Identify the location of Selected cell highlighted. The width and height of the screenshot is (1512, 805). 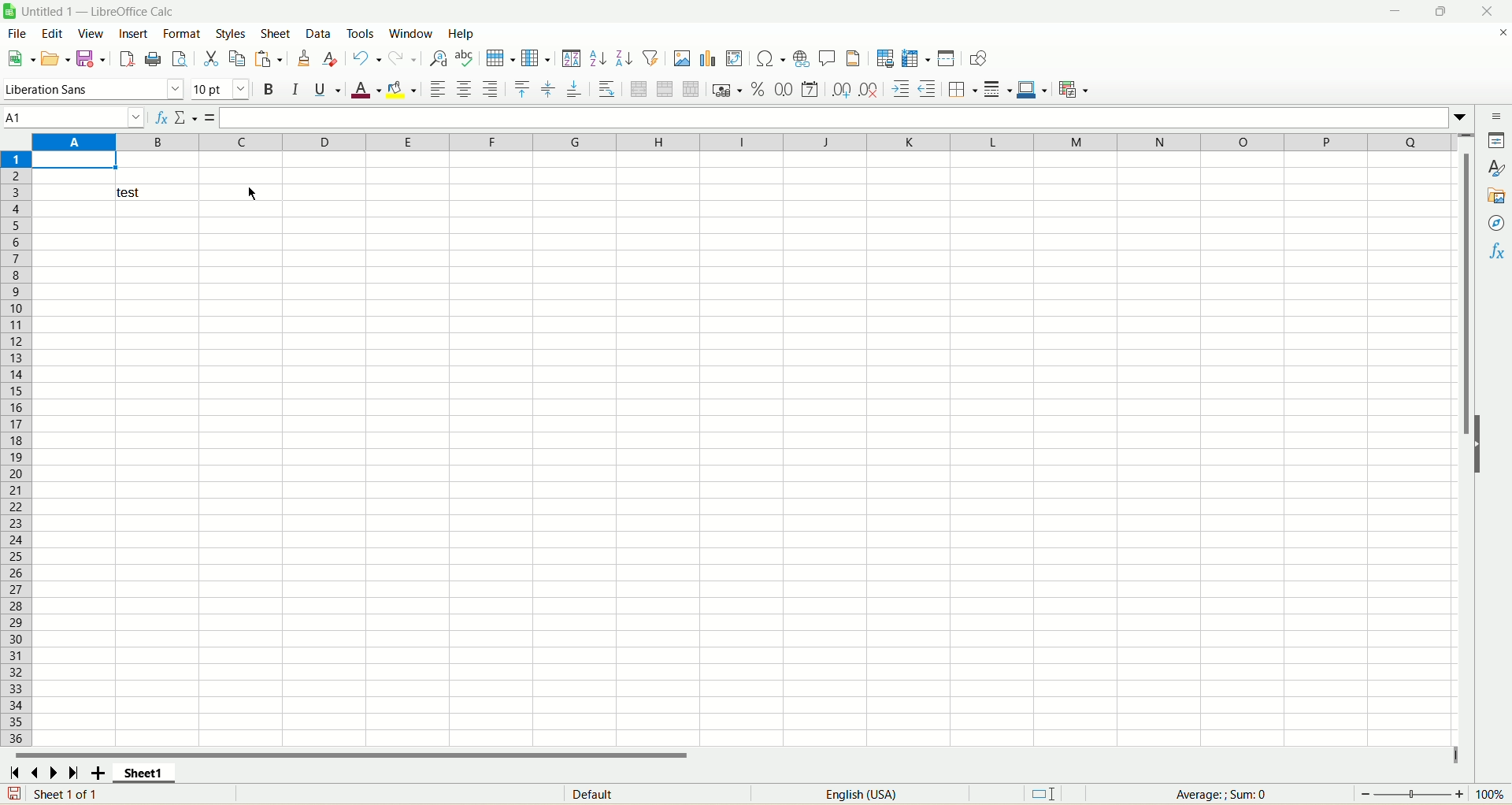
(74, 161).